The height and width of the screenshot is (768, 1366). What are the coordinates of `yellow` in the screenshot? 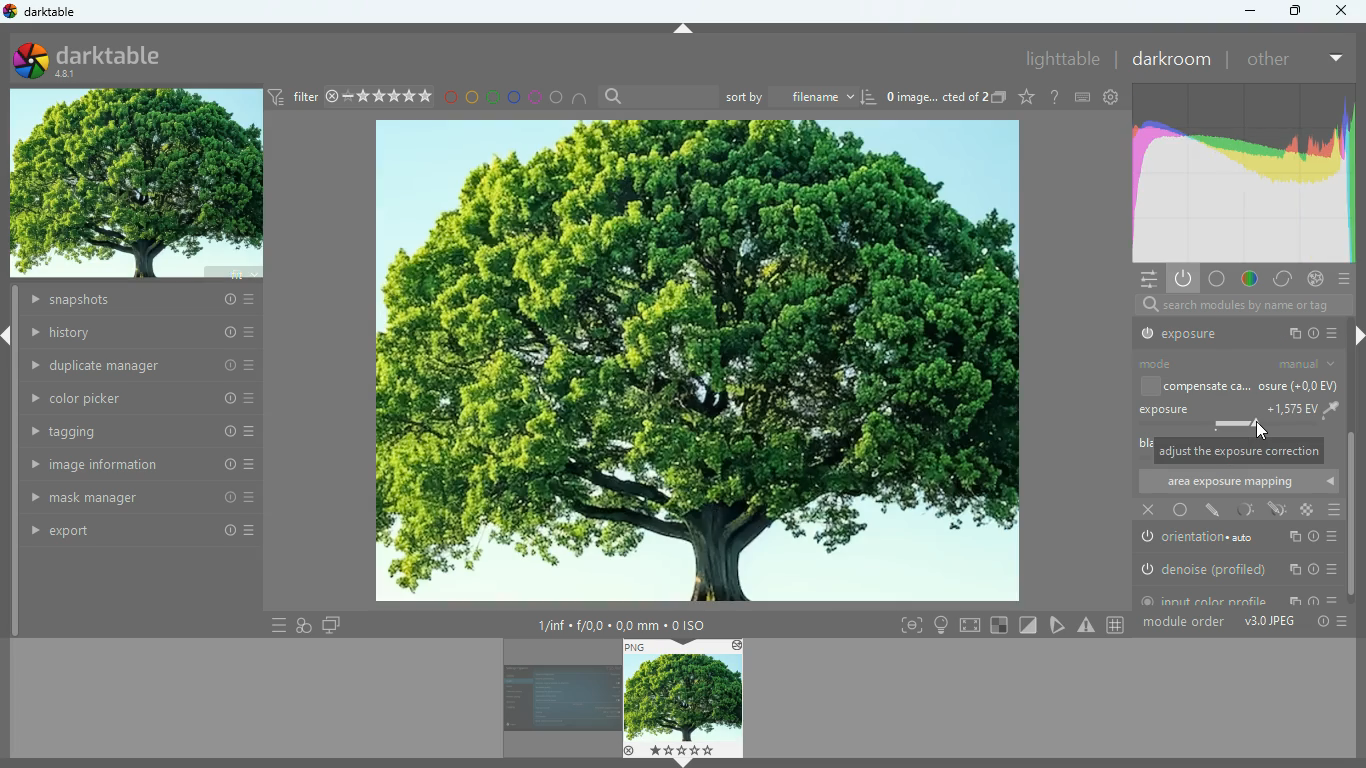 It's located at (472, 98).